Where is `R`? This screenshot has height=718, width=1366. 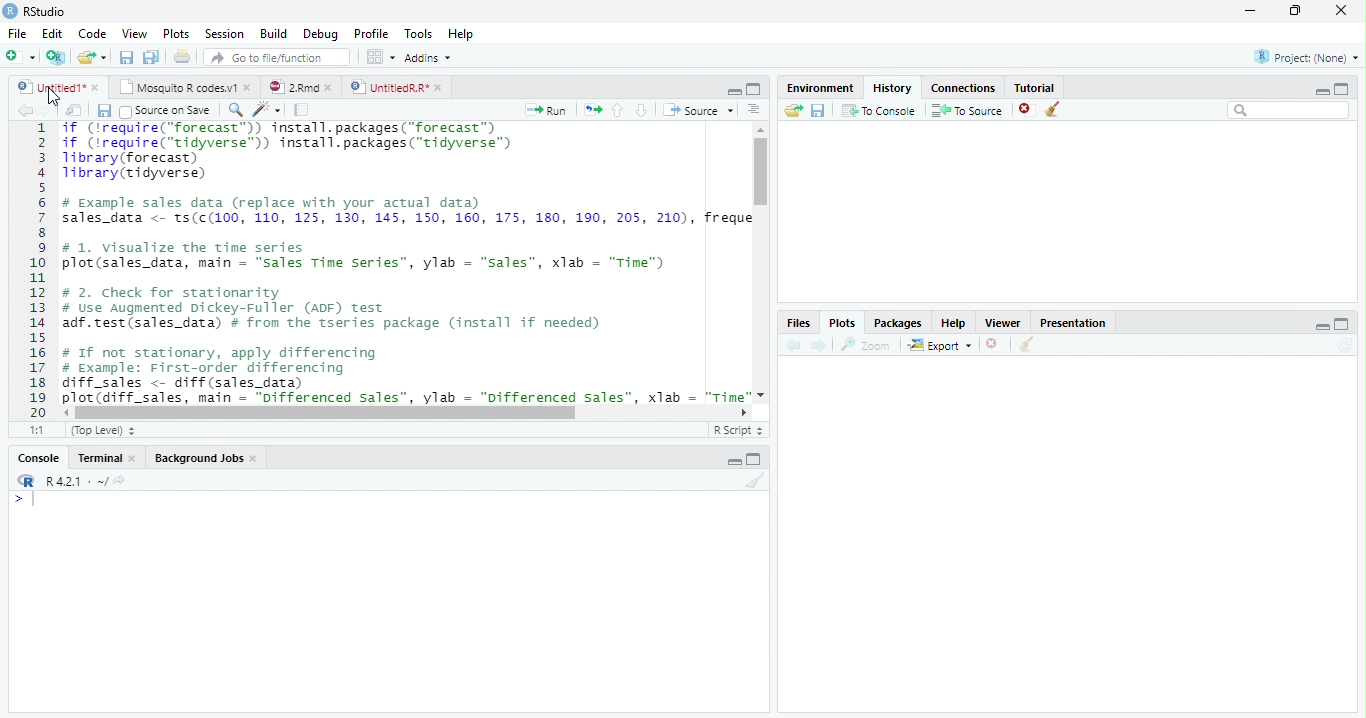 R is located at coordinates (26, 481).